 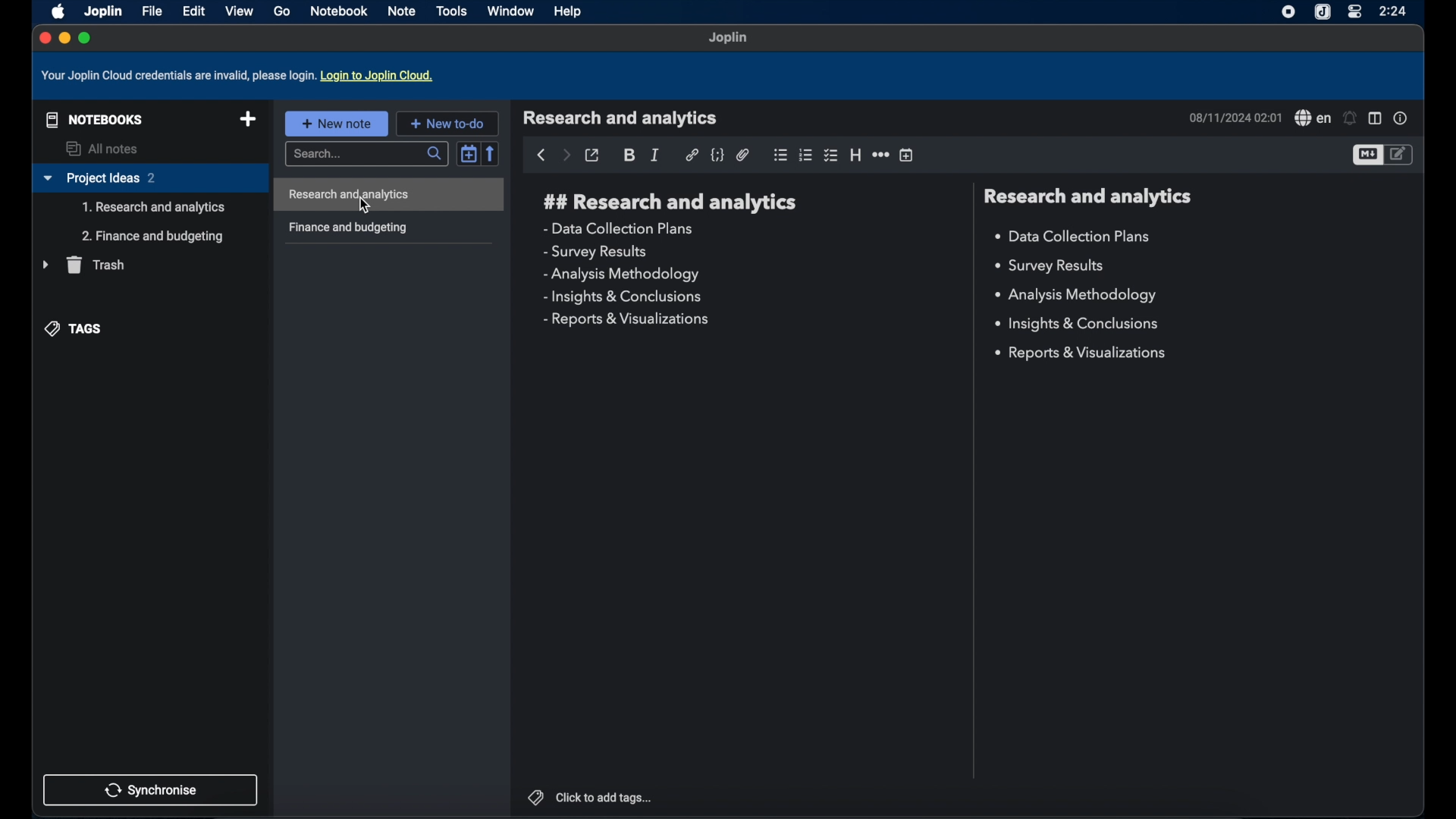 I want to click on project ideas 2, so click(x=149, y=179).